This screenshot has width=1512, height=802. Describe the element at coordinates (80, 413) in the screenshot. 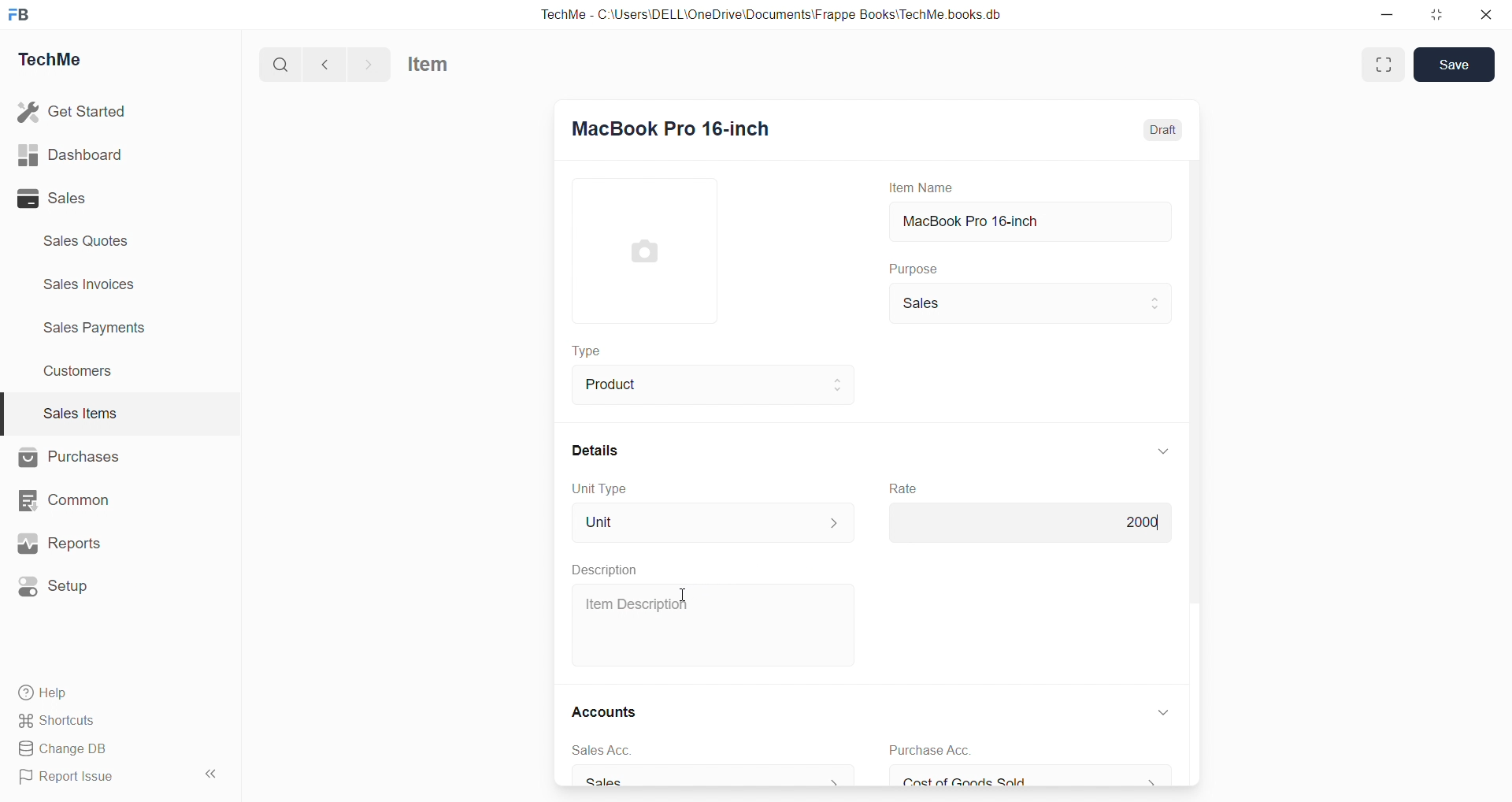

I see `Sales Items` at that location.